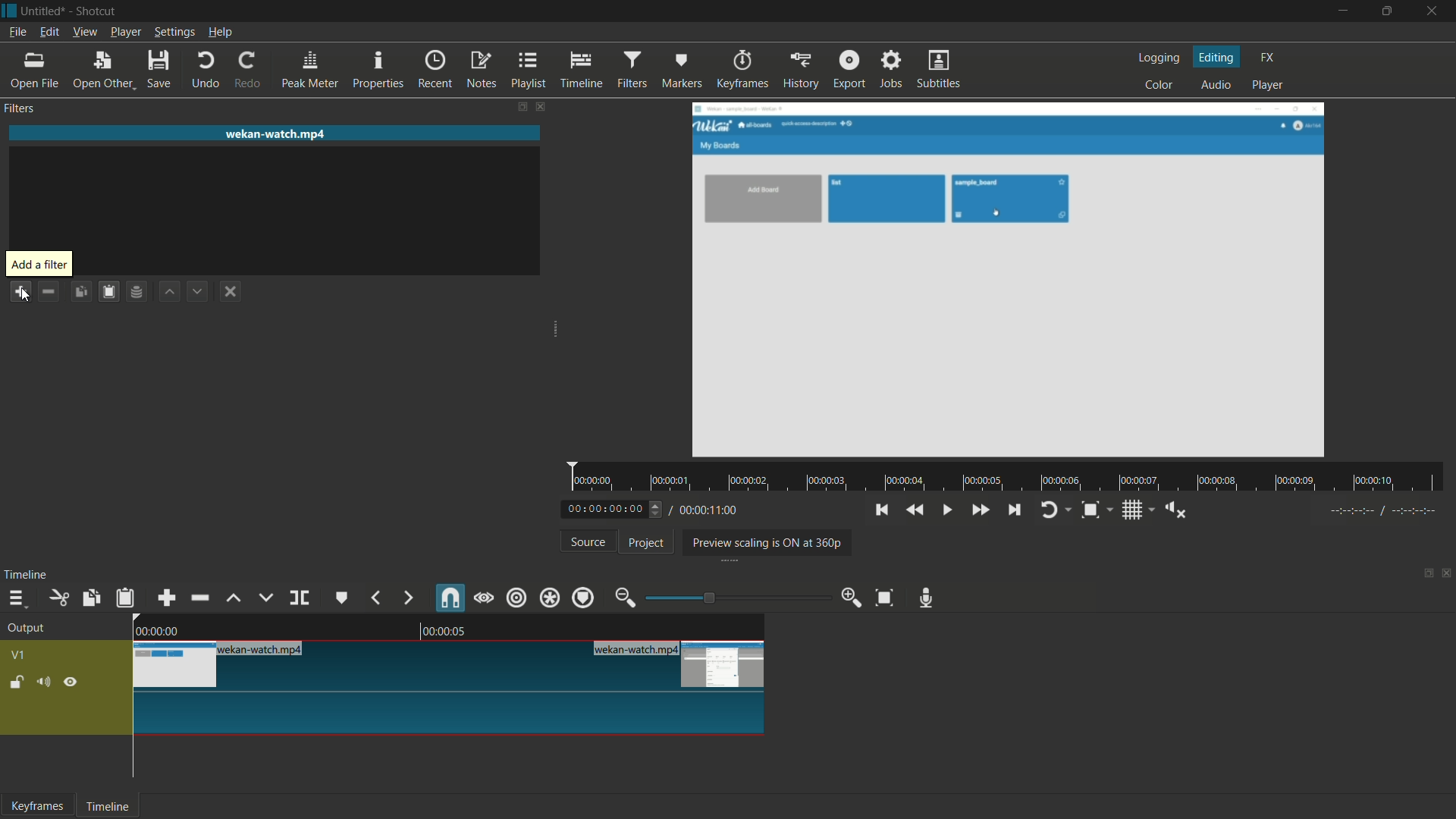  I want to click on adjustment bar, so click(732, 598).